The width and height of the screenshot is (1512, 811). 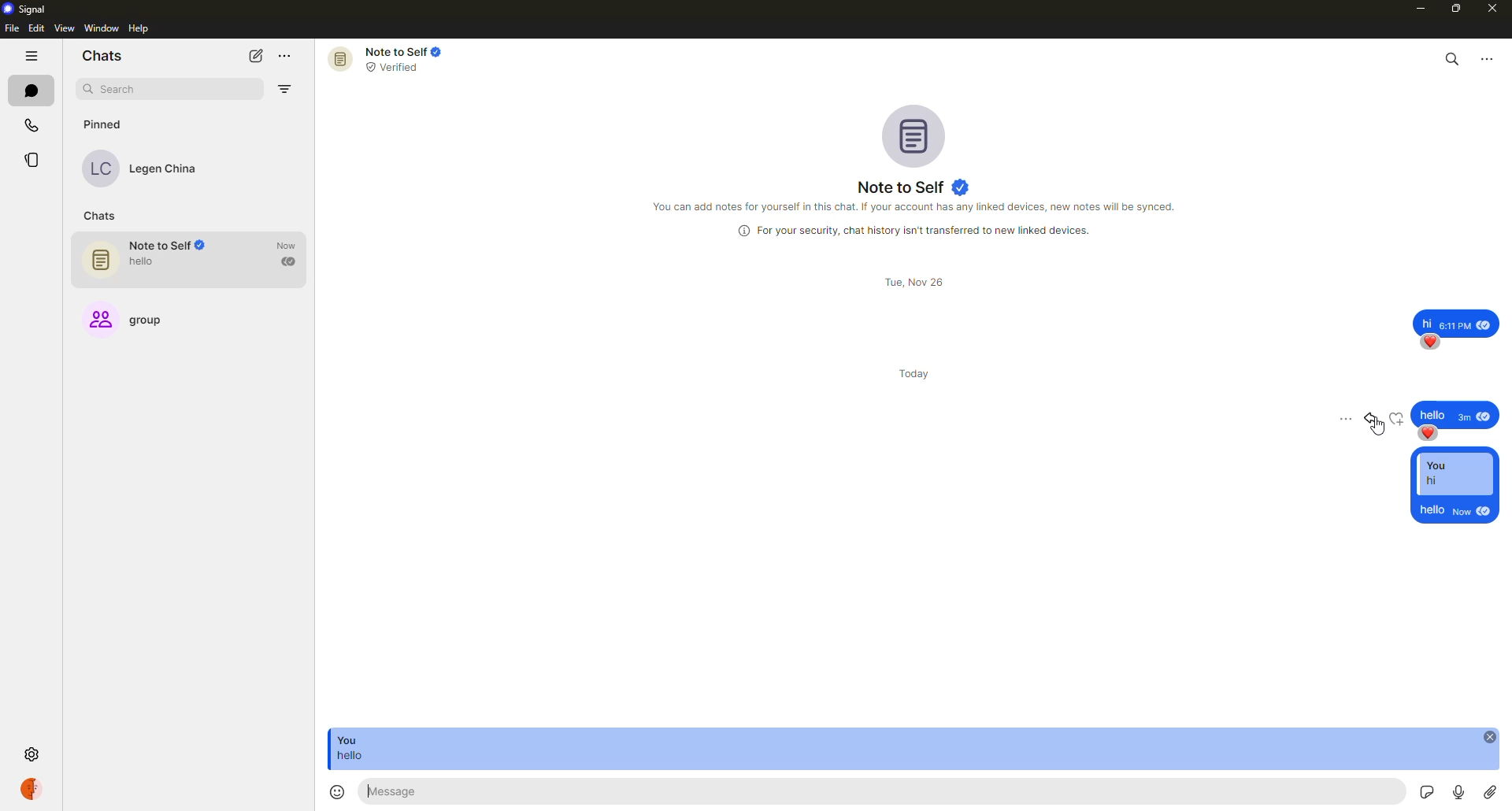 What do you see at coordinates (1426, 434) in the screenshot?
I see `reaction` at bounding box center [1426, 434].